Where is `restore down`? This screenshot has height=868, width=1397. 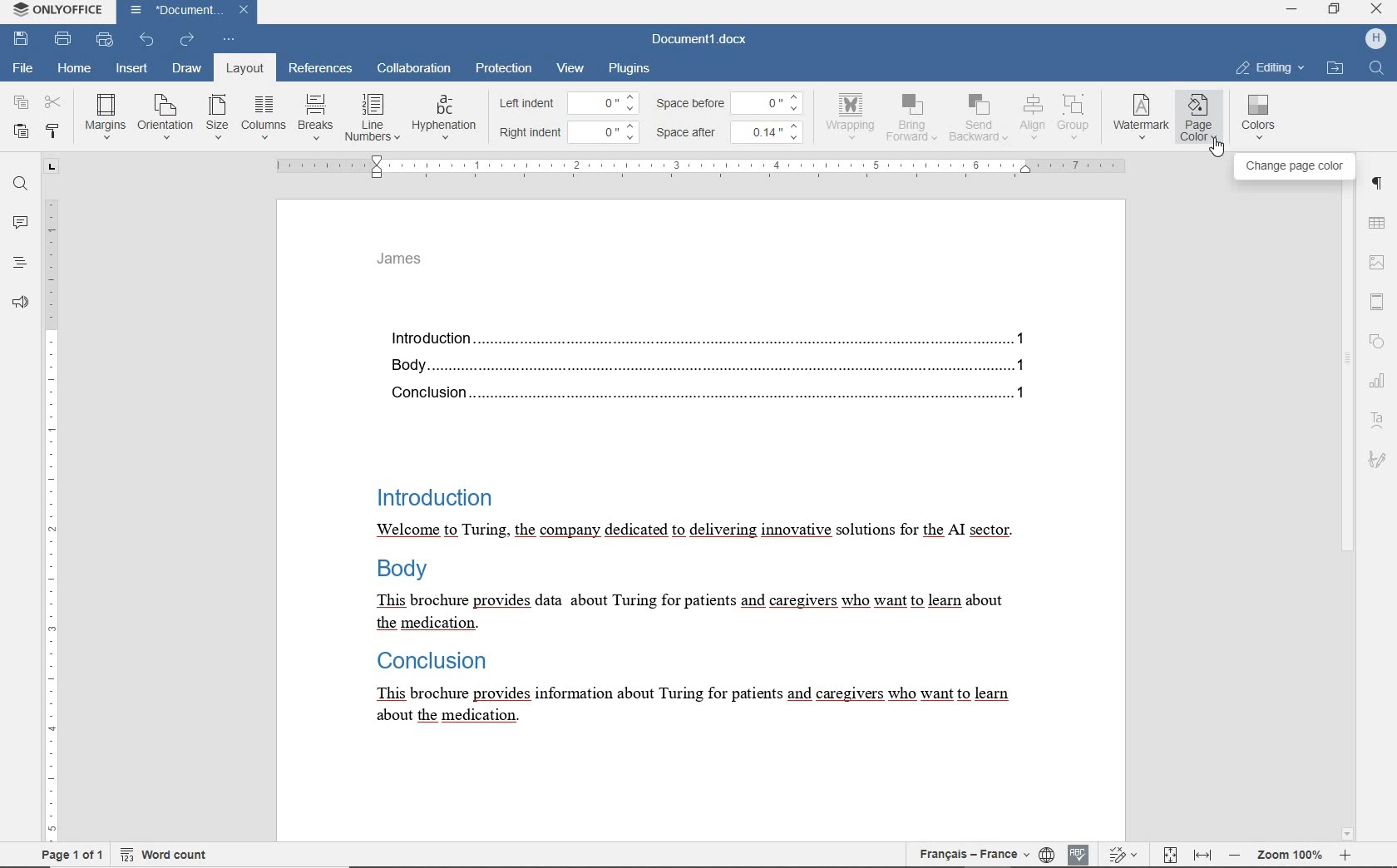
restore down is located at coordinates (1337, 11).